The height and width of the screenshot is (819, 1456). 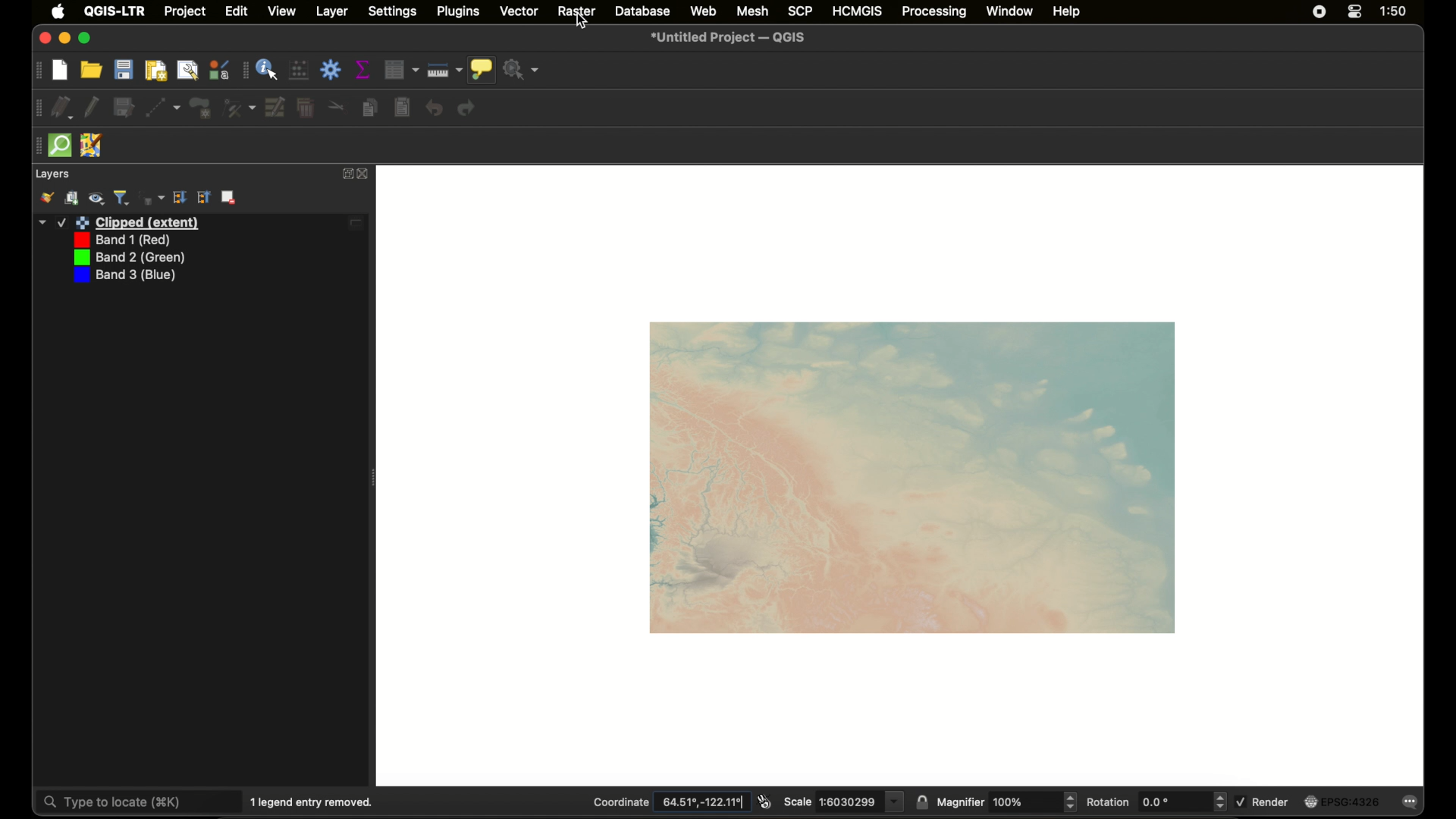 What do you see at coordinates (124, 69) in the screenshot?
I see `save` at bounding box center [124, 69].